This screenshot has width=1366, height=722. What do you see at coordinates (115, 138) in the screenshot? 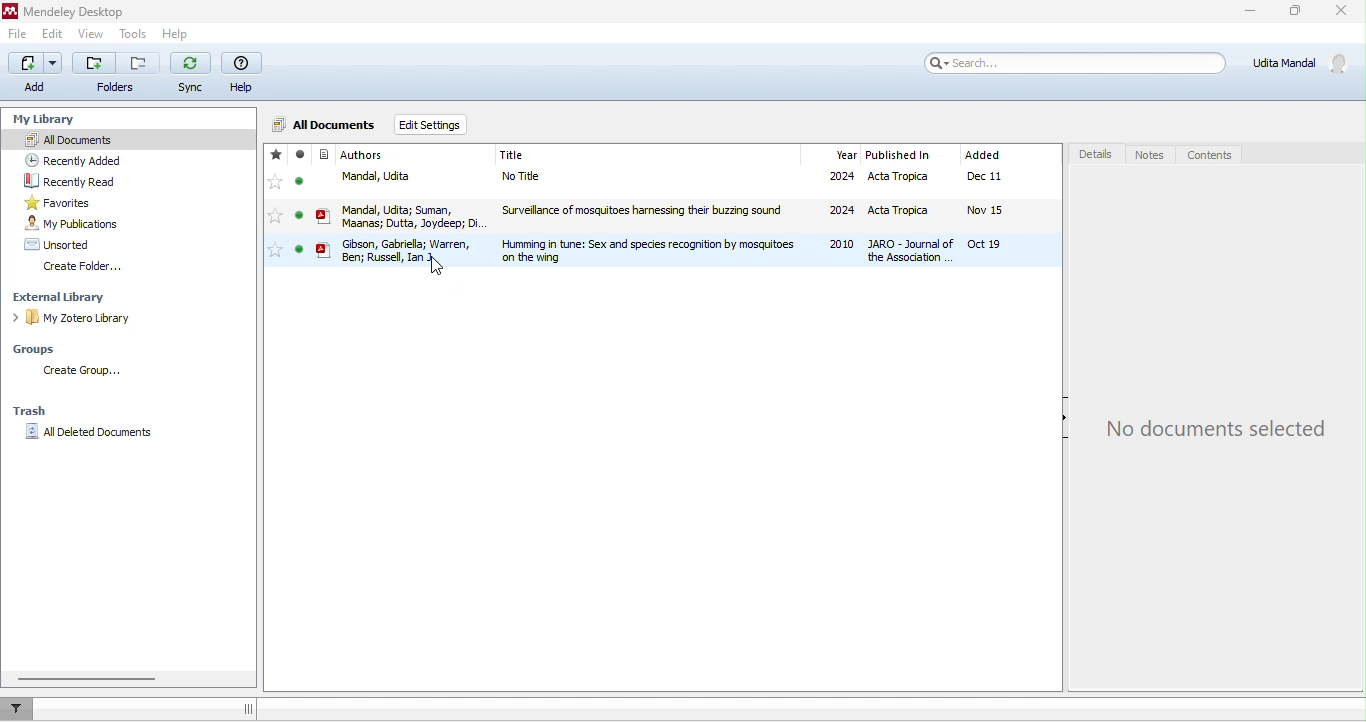
I see `all documents` at bounding box center [115, 138].